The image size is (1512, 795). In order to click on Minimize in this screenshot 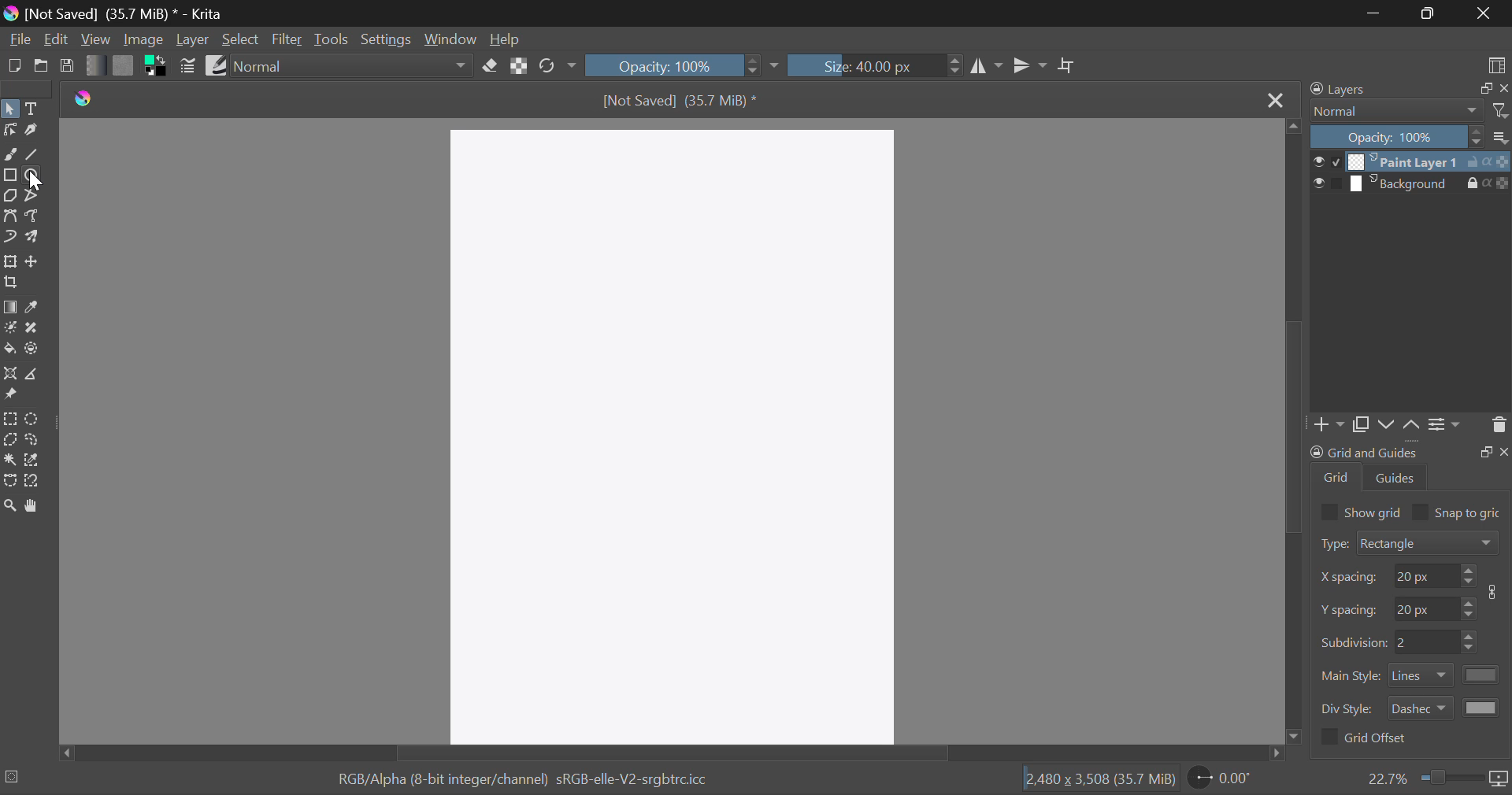, I will do `click(1431, 13)`.